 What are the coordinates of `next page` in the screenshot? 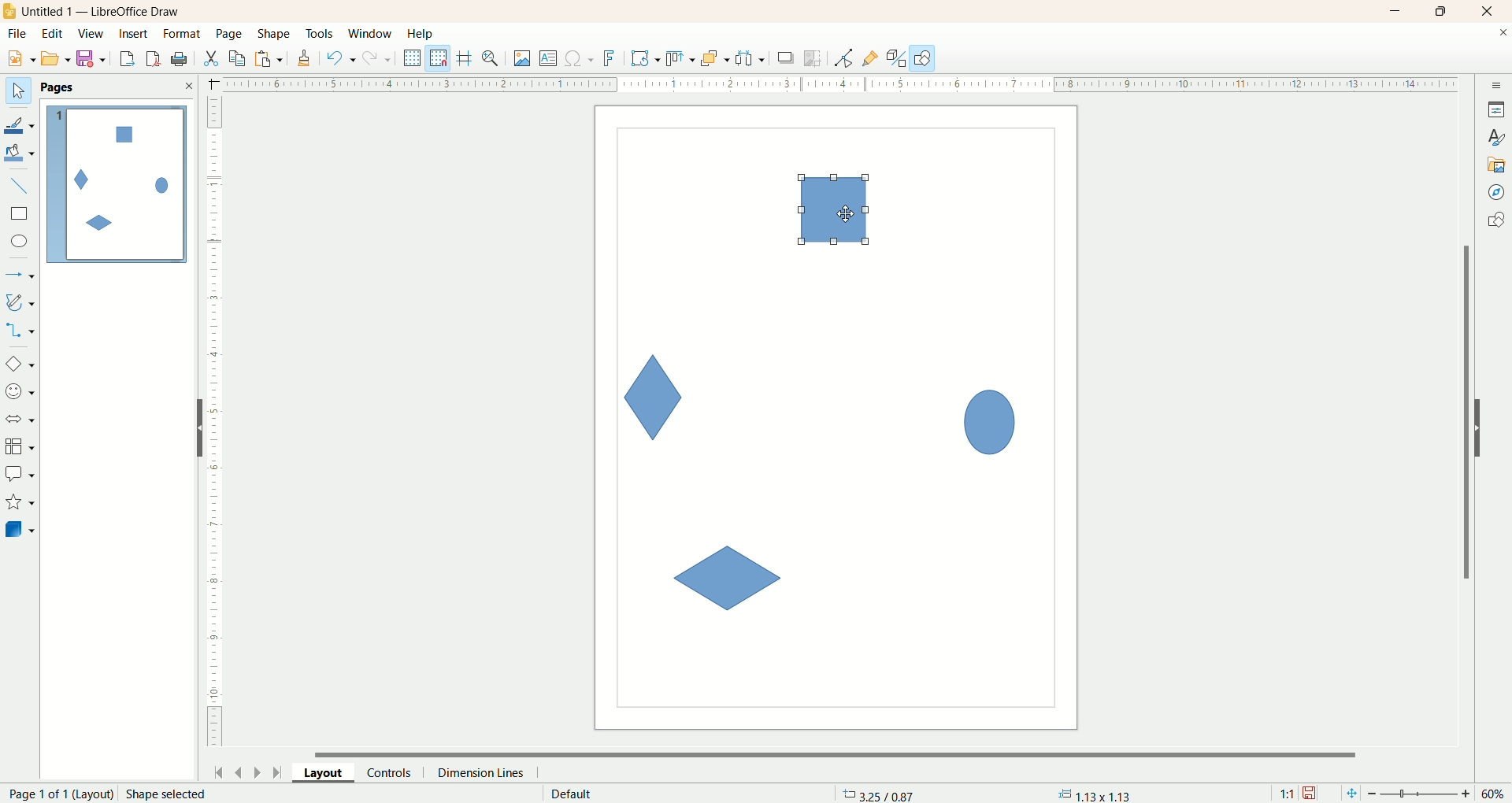 It's located at (258, 772).